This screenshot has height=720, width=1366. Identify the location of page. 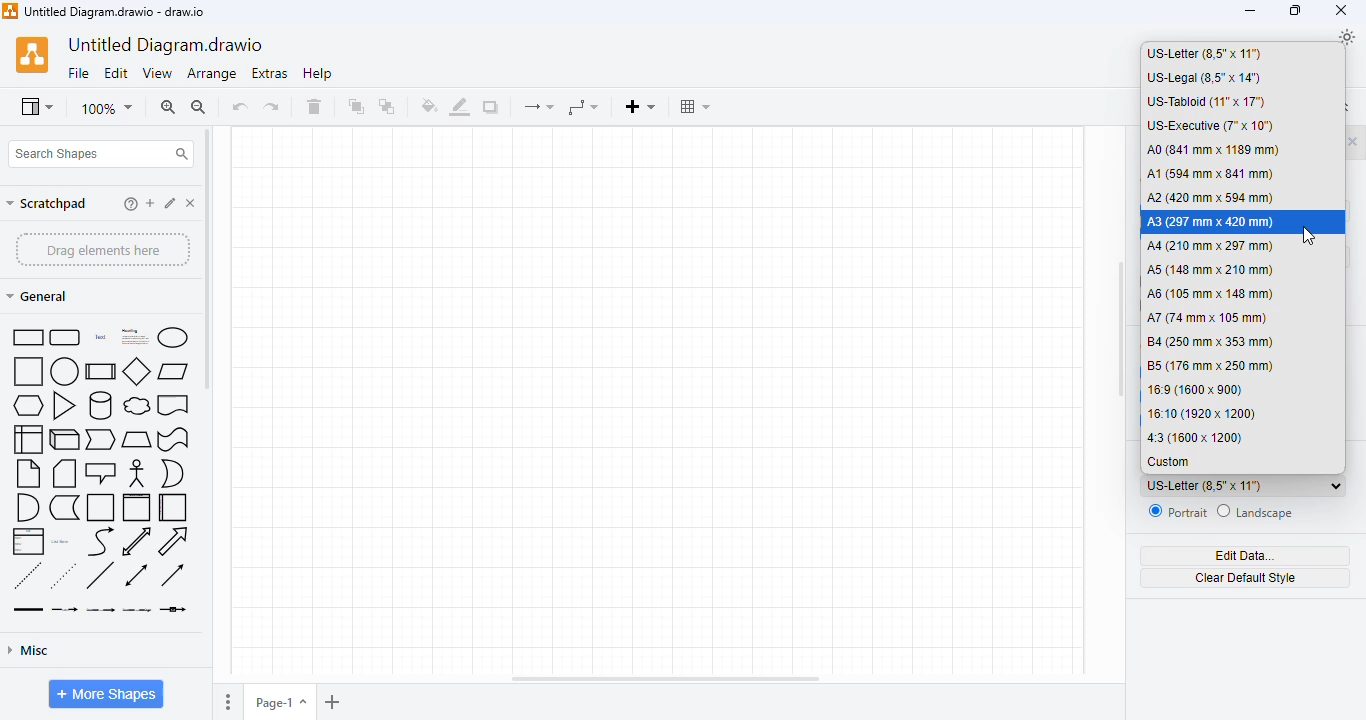
(660, 399).